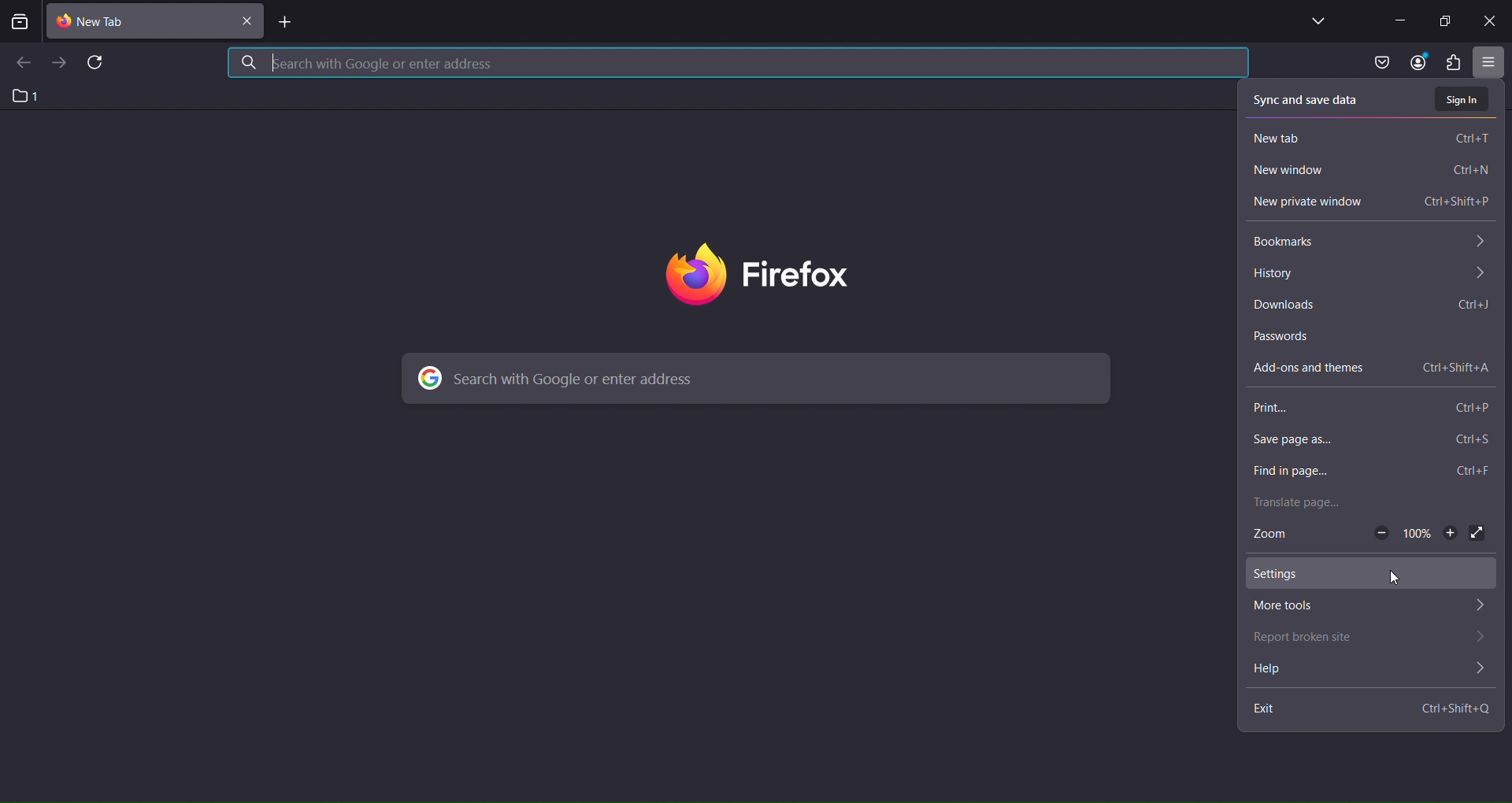 This screenshot has width=1512, height=803. Describe the element at coordinates (1371, 305) in the screenshot. I see `downloads` at that location.